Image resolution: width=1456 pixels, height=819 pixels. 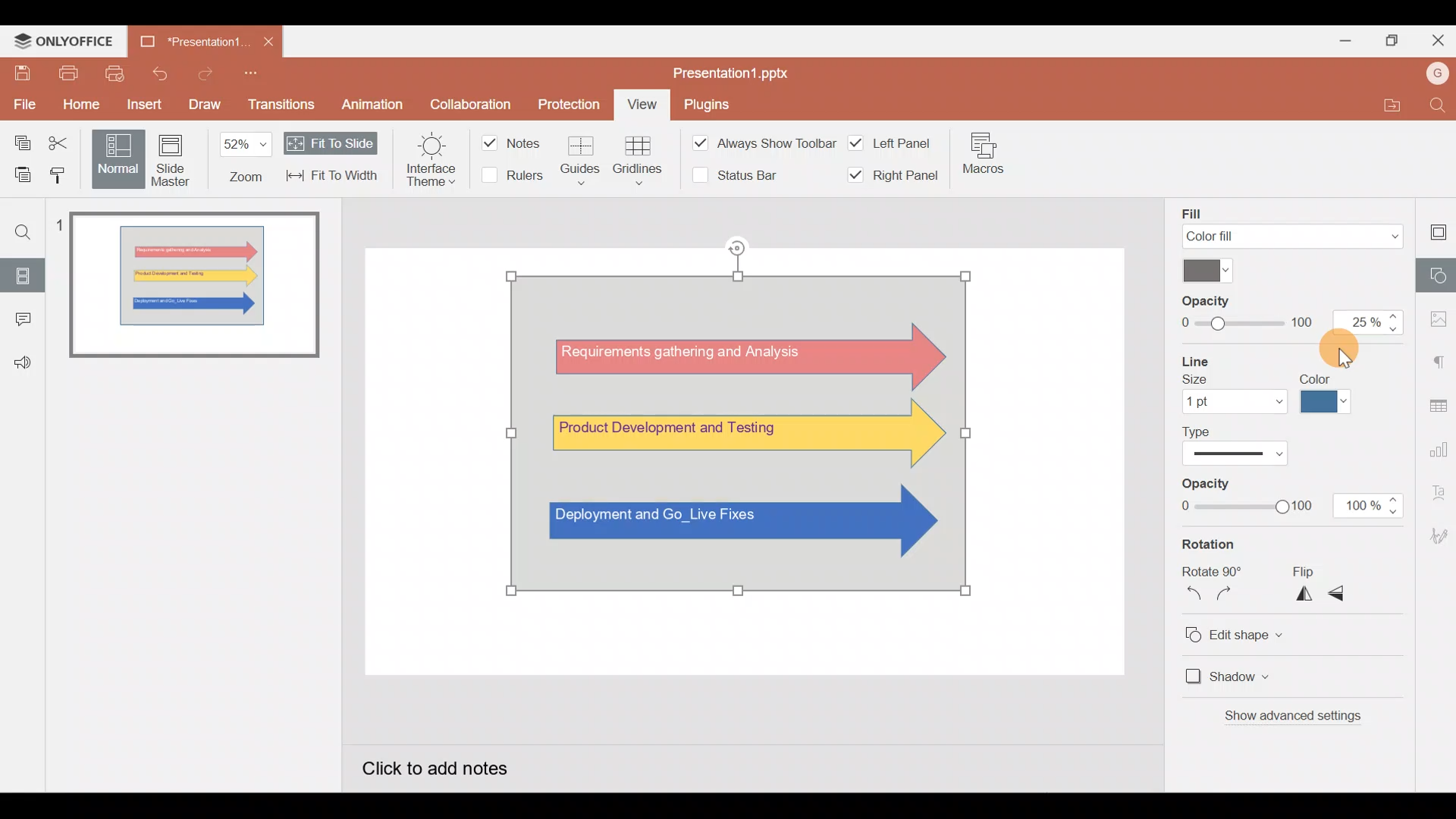 What do you see at coordinates (1386, 105) in the screenshot?
I see `Open file location` at bounding box center [1386, 105].